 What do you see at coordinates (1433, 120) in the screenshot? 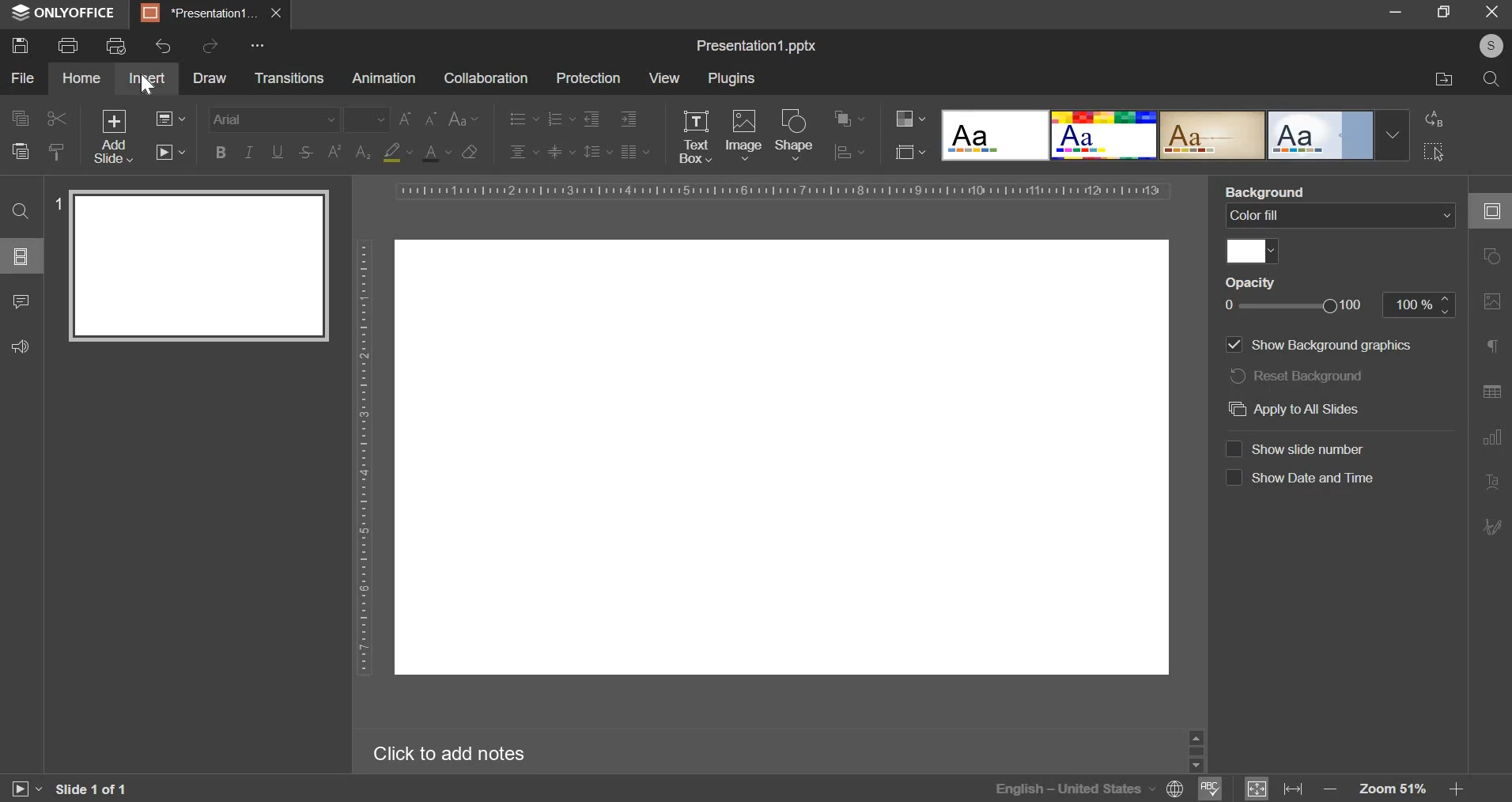
I see `replace` at bounding box center [1433, 120].